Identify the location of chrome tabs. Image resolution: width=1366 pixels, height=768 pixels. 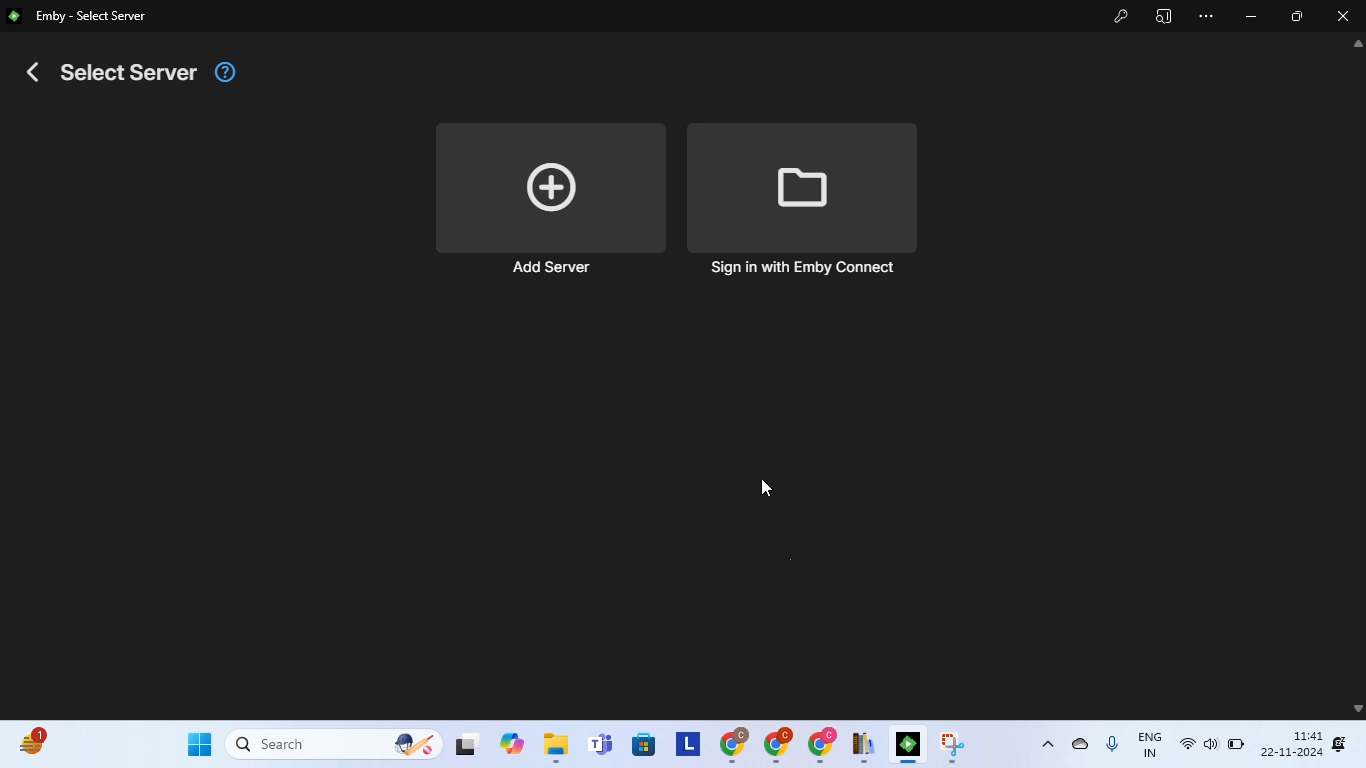
(823, 745).